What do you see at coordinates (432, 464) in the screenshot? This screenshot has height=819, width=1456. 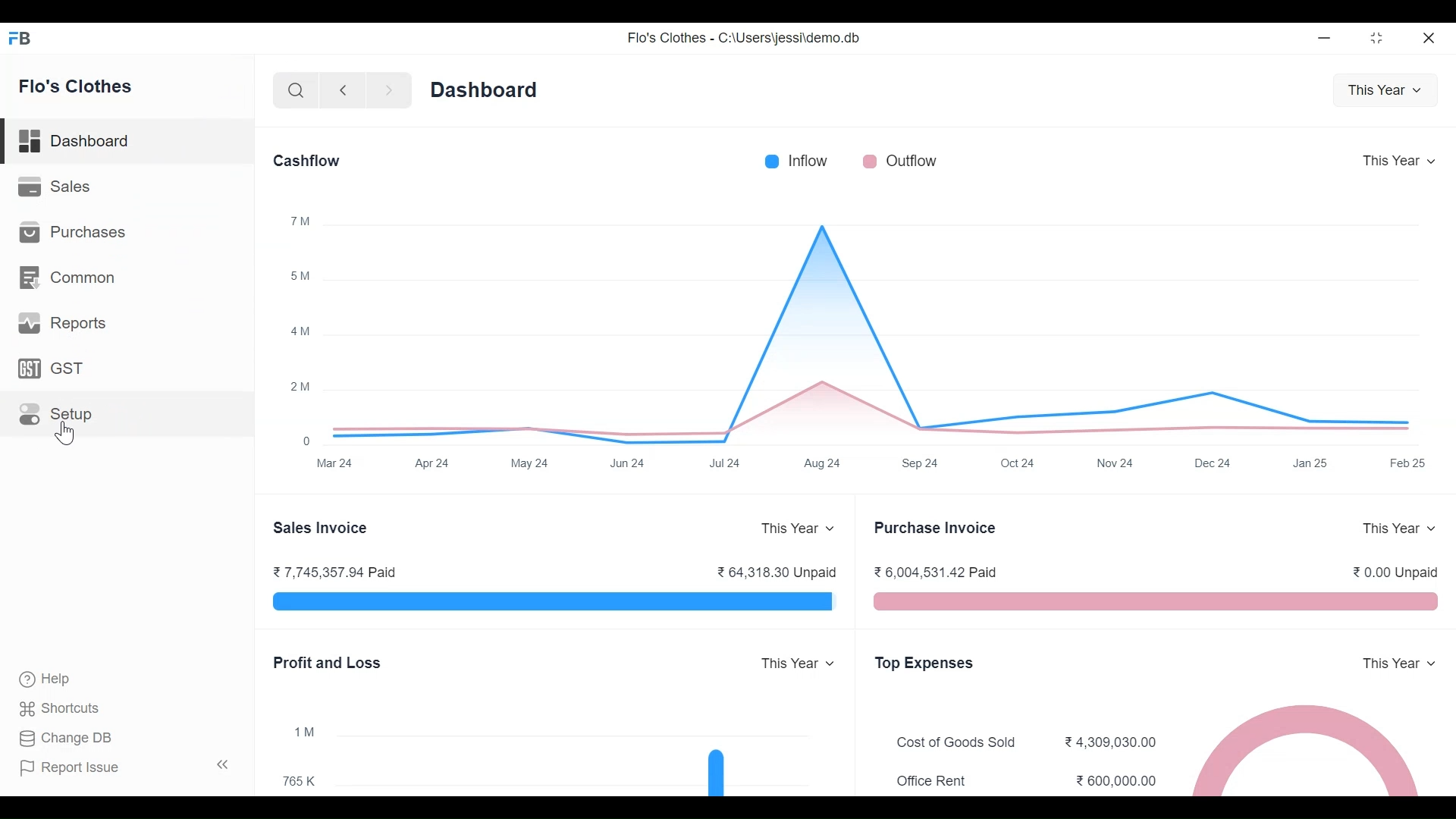 I see `Apr24` at bounding box center [432, 464].